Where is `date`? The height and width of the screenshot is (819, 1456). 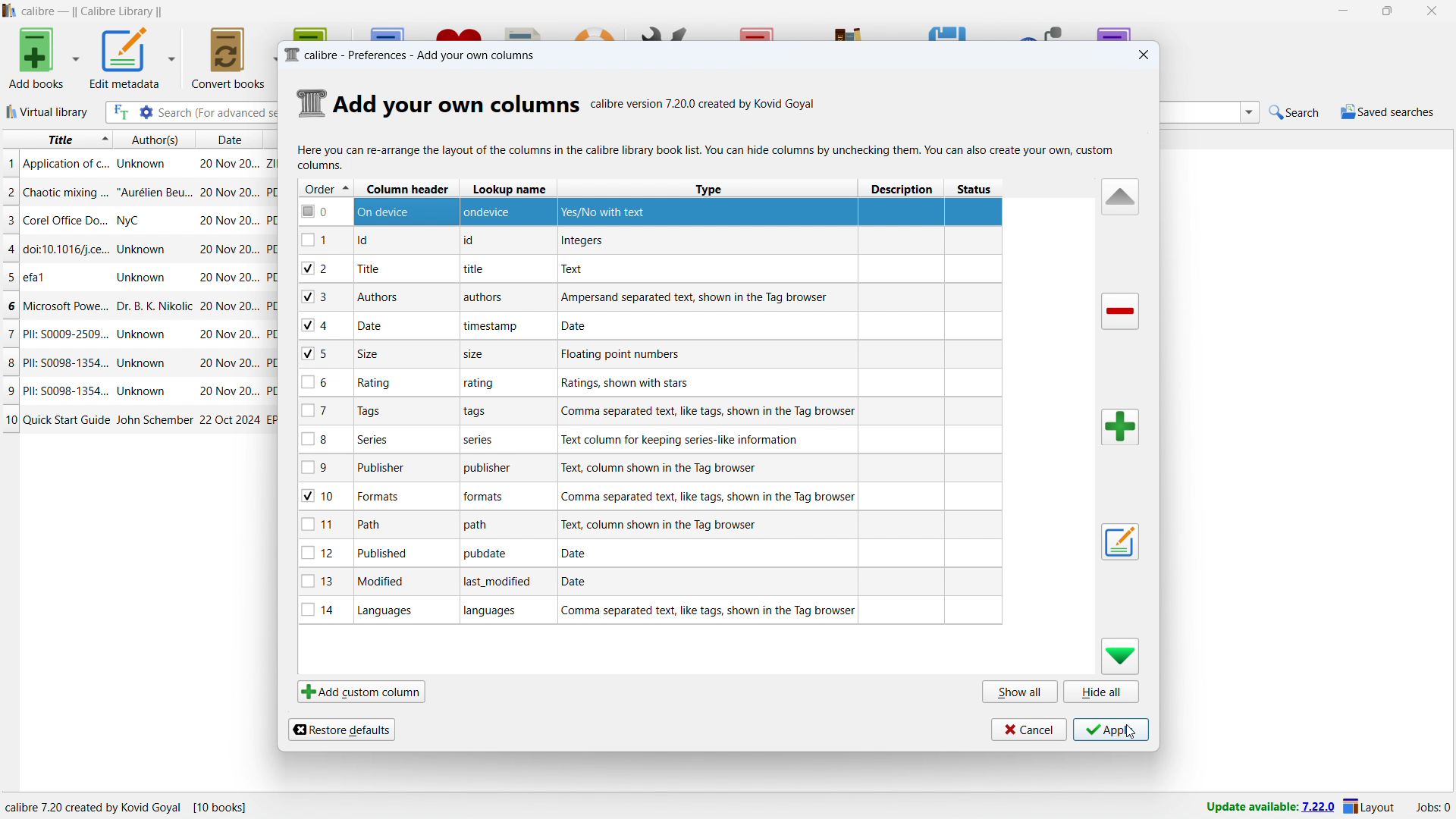 date is located at coordinates (230, 363).